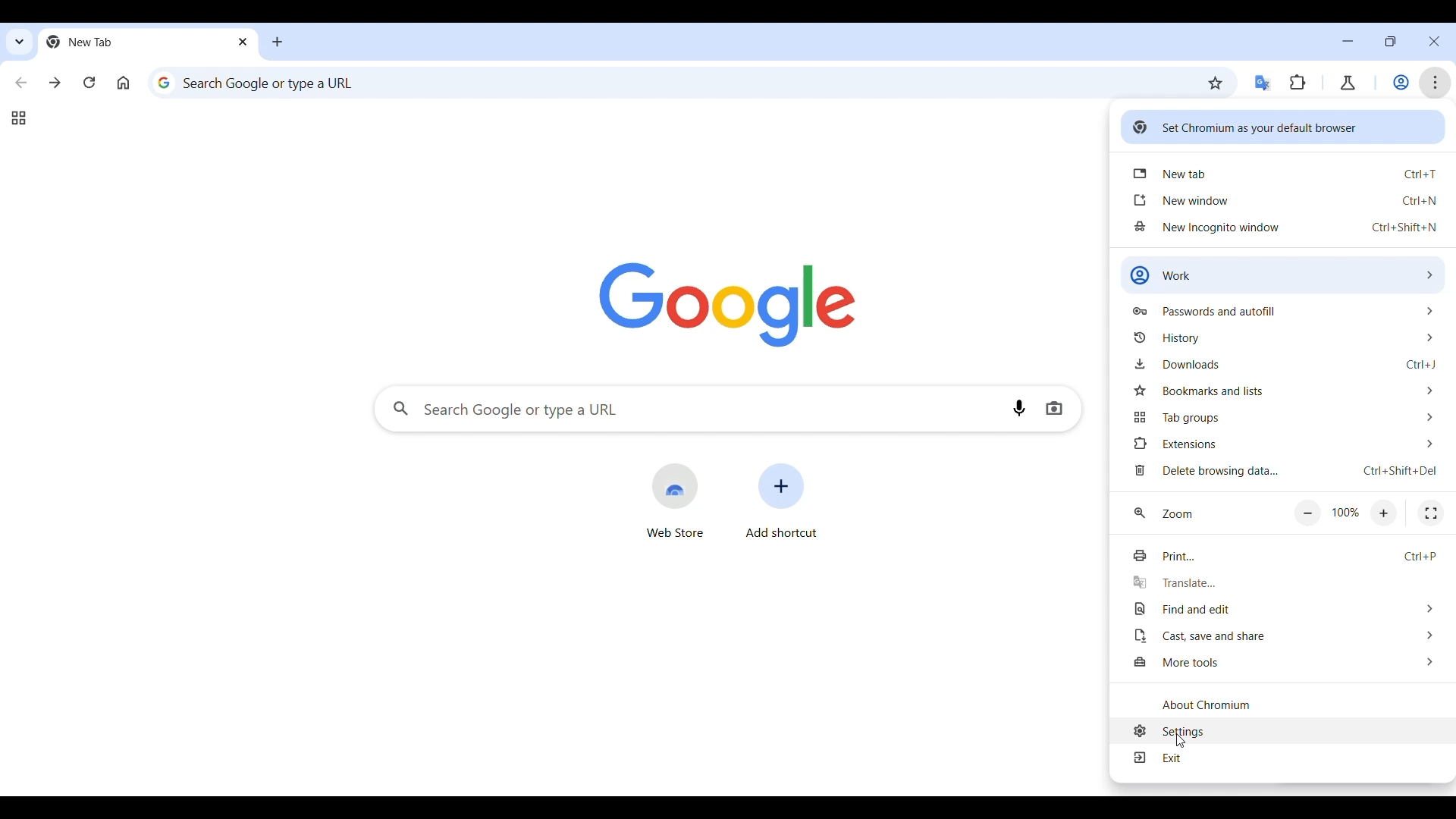  What do you see at coordinates (675, 501) in the screenshot?
I see `Open Google web store` at bounding box center [675, 501].